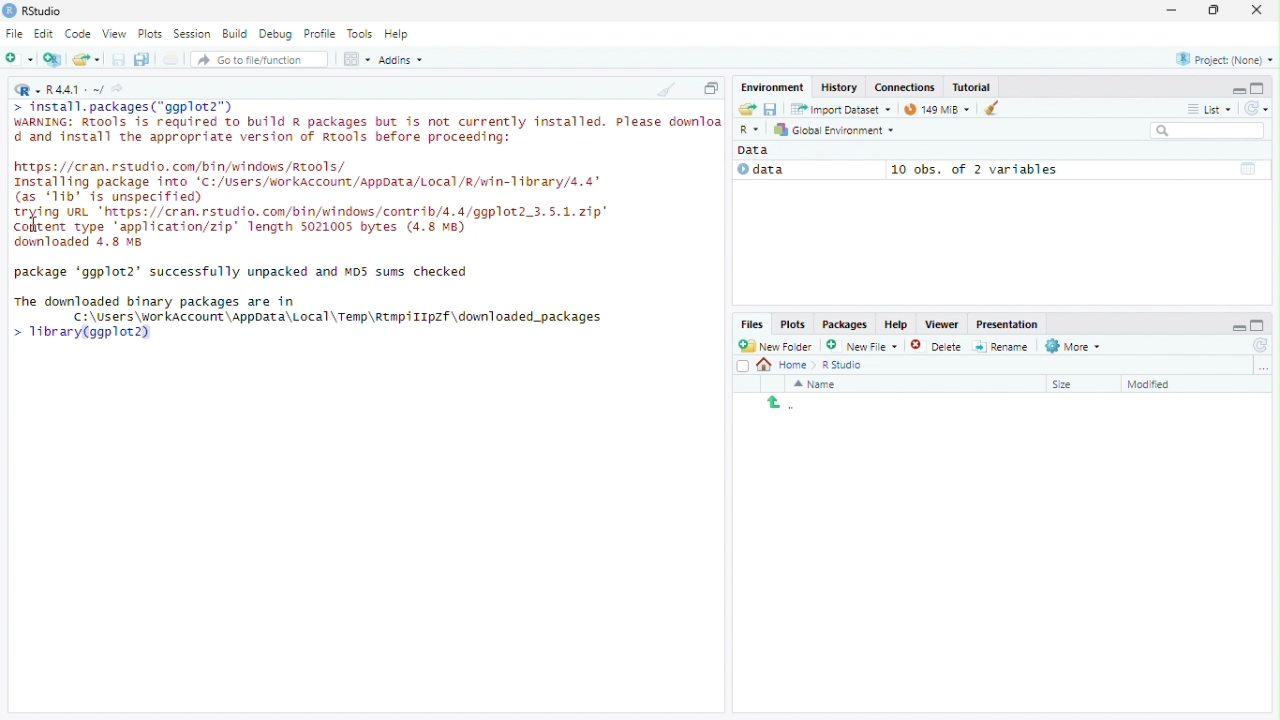  Describe the element at coordinates (80, 34) in the screenshot. I see `Code` at that location.